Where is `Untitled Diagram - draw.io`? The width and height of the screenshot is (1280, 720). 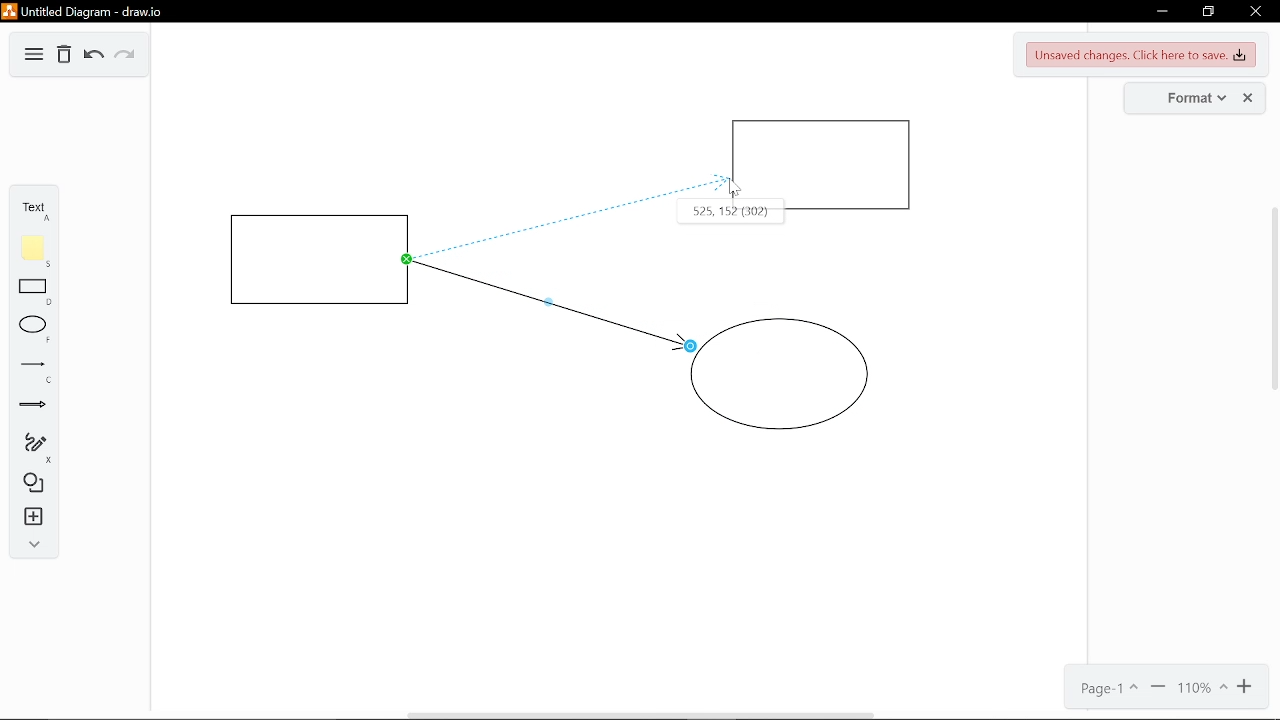
Untitled Diagram - draw.io is located at coordinates (86, 12).